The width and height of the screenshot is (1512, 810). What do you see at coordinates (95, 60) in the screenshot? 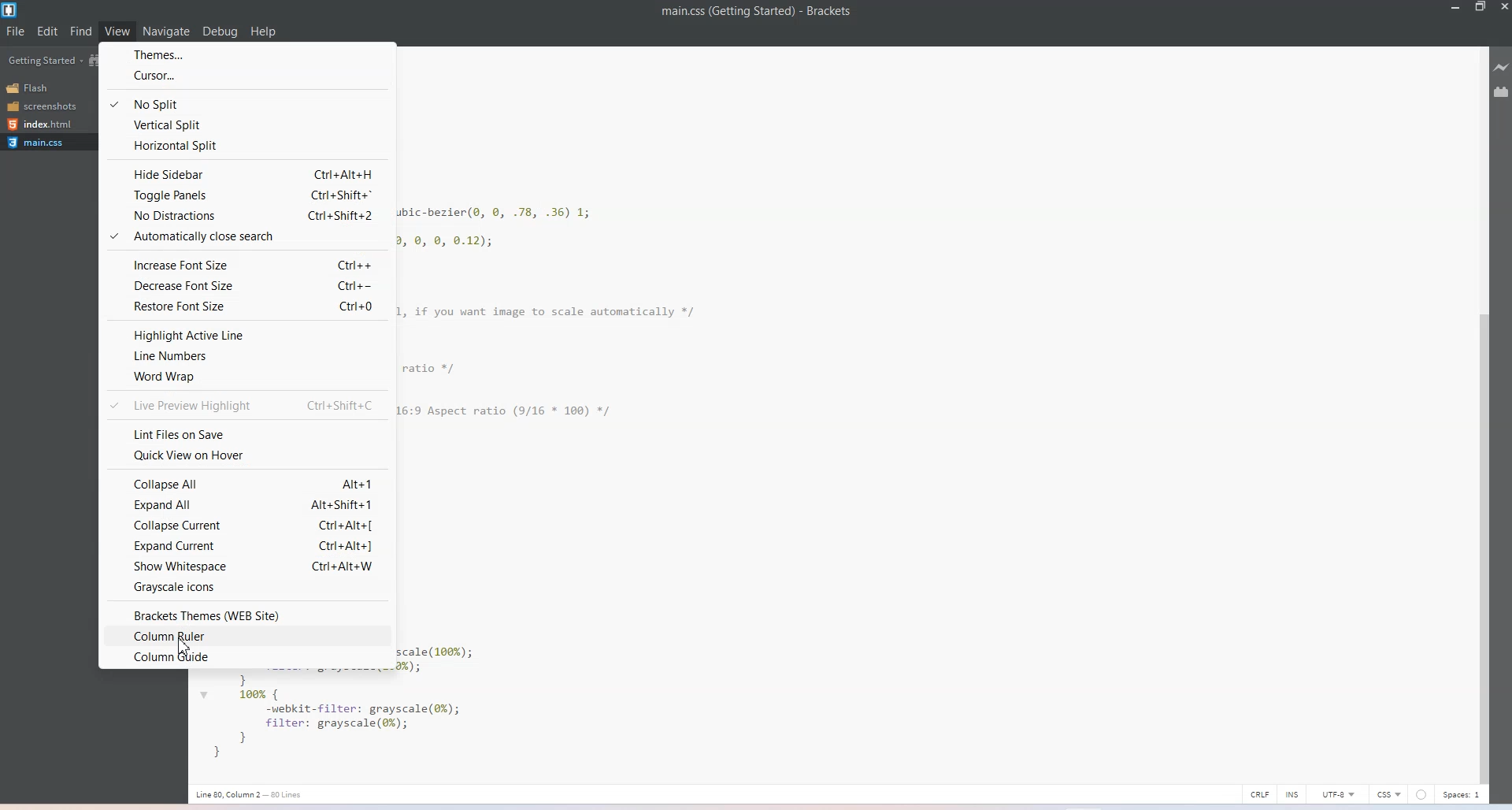
I see `Show in file tree` at bounding box center [95, 60].